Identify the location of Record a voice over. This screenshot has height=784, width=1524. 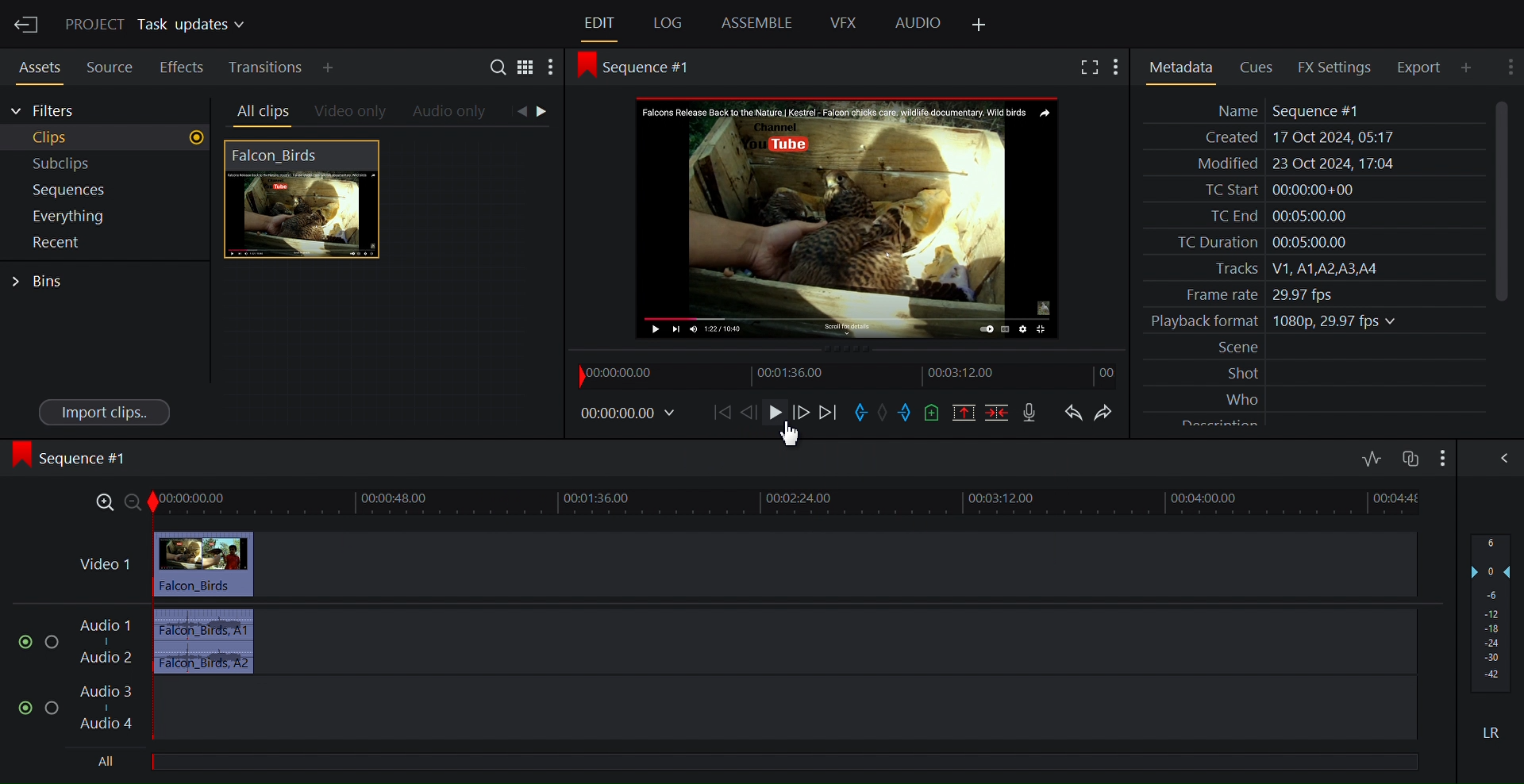
(1031, 413).